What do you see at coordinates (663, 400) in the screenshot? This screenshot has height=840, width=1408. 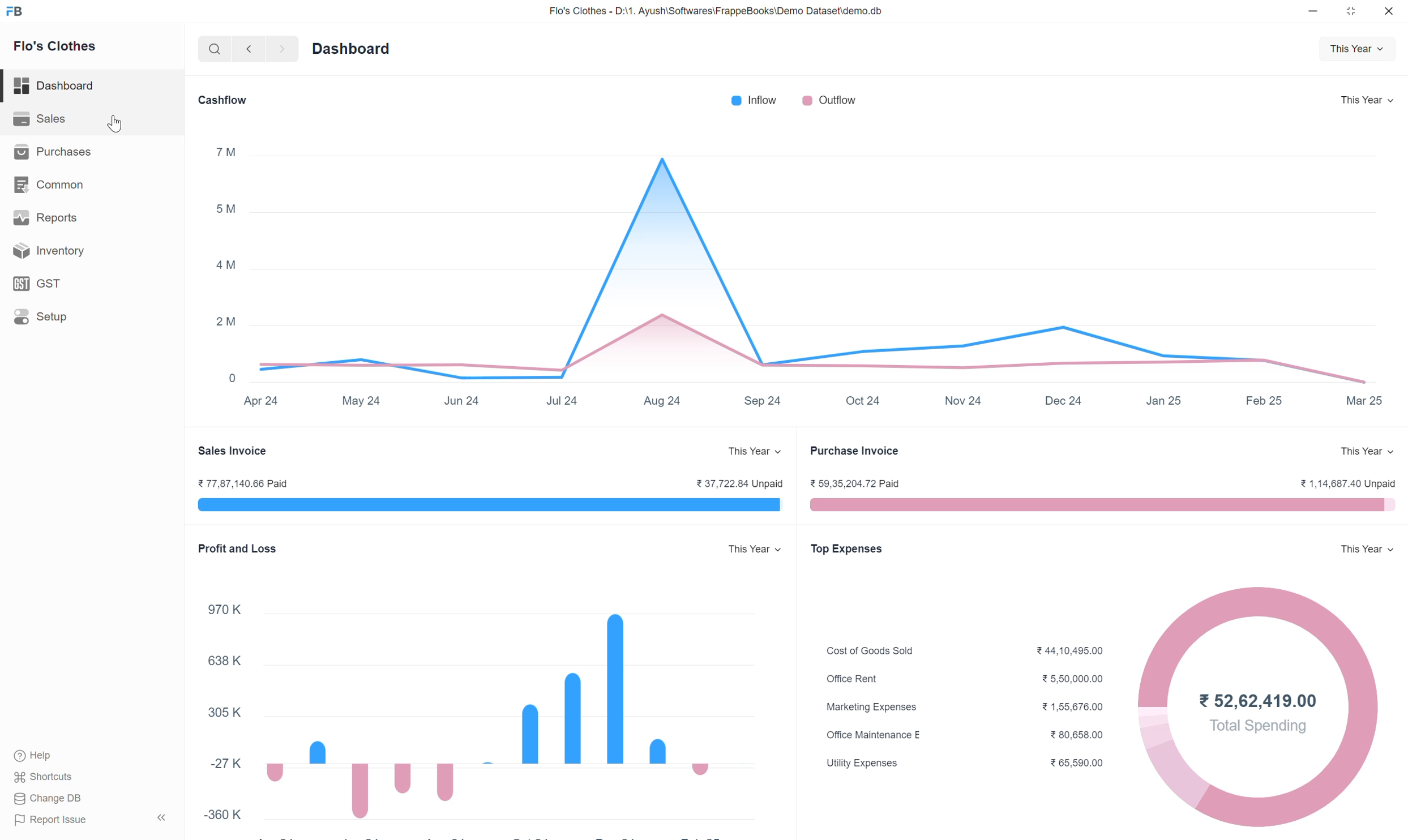 I see `Aug 24` at bounding box center [663, 400].